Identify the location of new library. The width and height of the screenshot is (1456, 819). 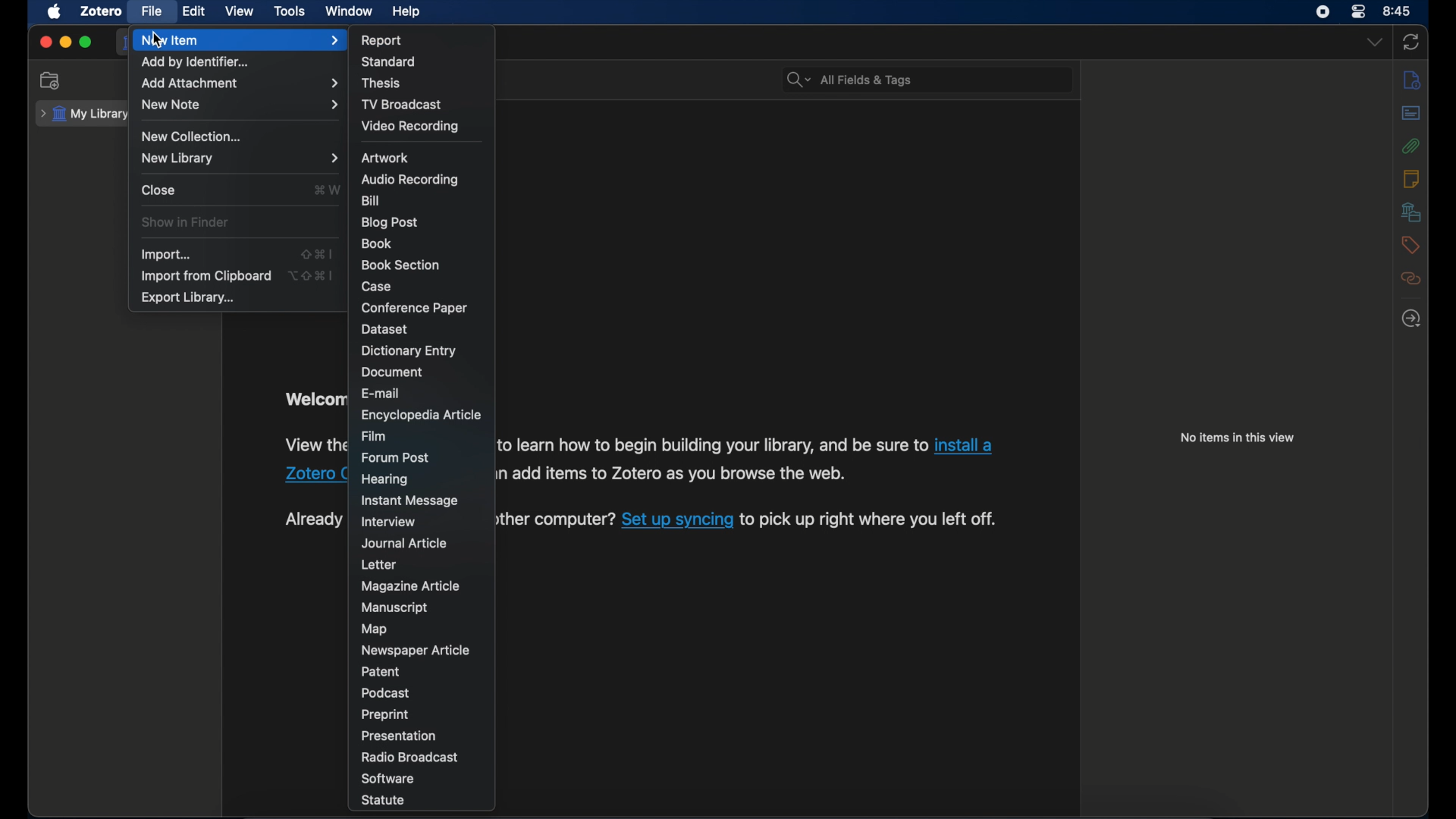
(238, 159).